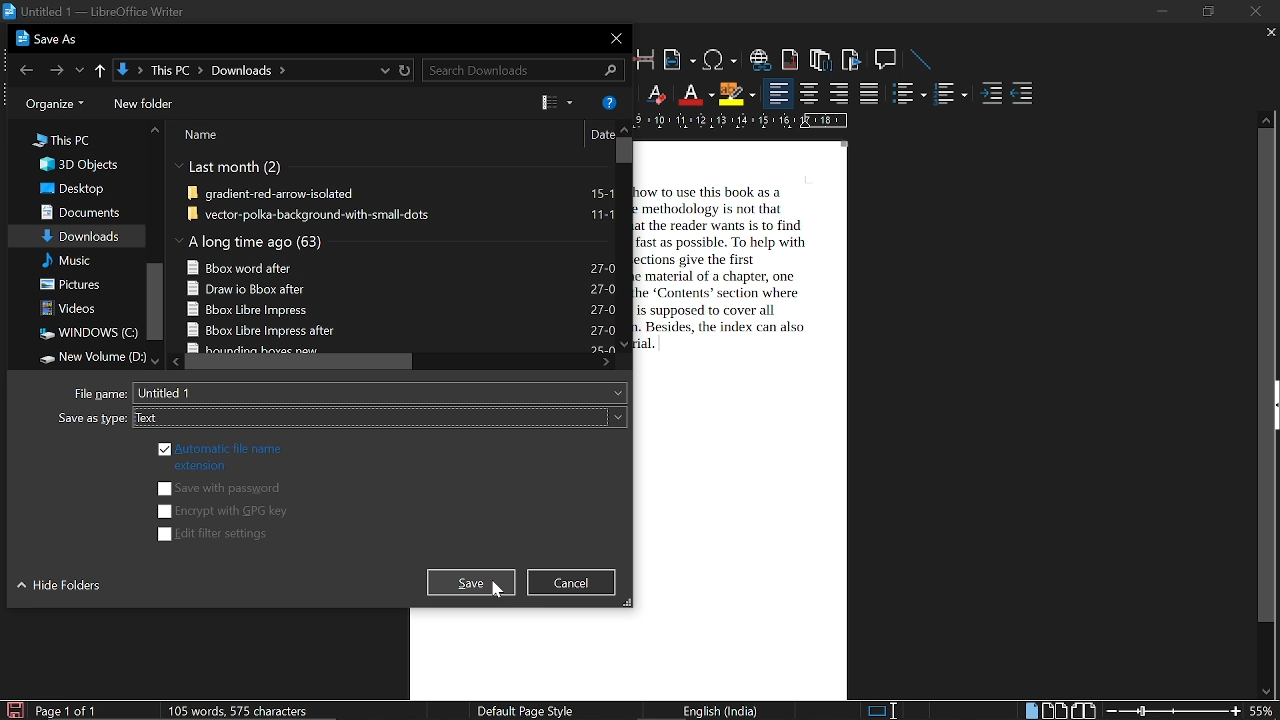 This screenshot has width=1280, height=720. What do you see at coordinates (69, 308) in the screenshot?
I see `Videos` at bounding box center [69, 308].